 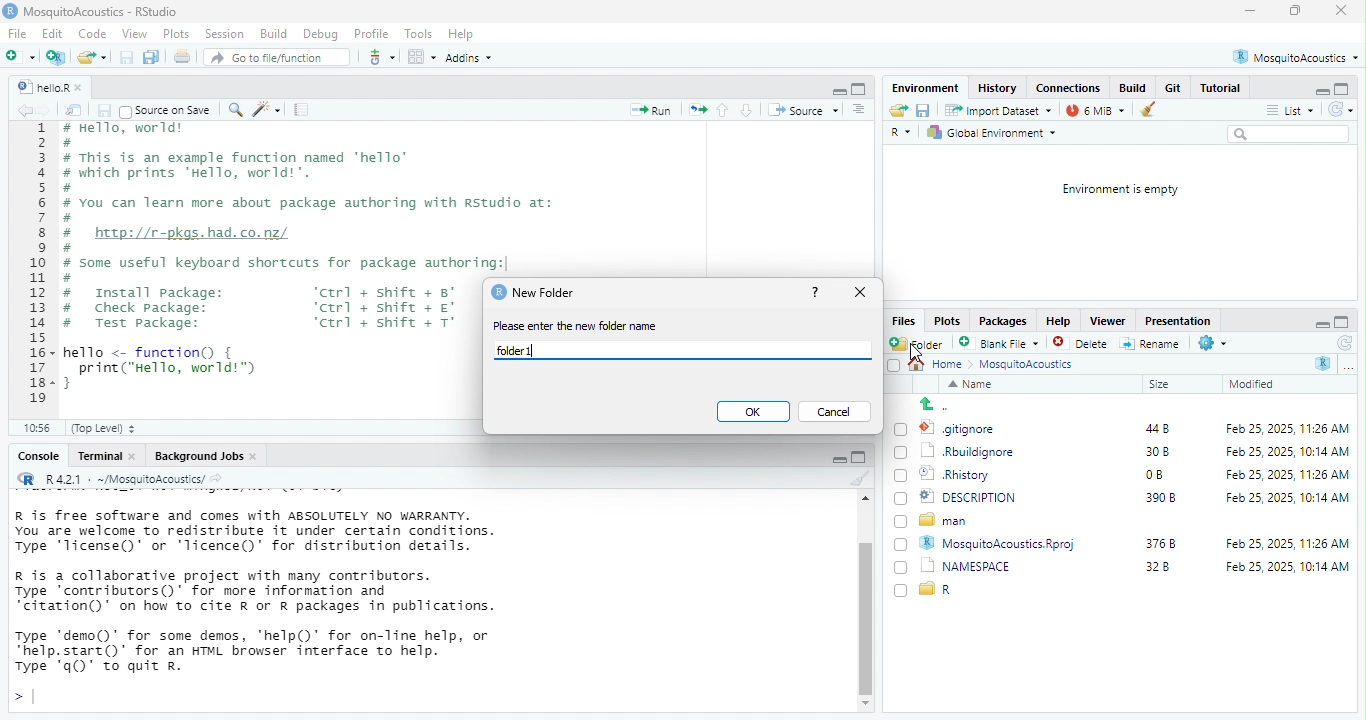 What do you see at coordinates (1172, 88) in the screenshot?
I see `Git` at bounding box center [1172, 88].